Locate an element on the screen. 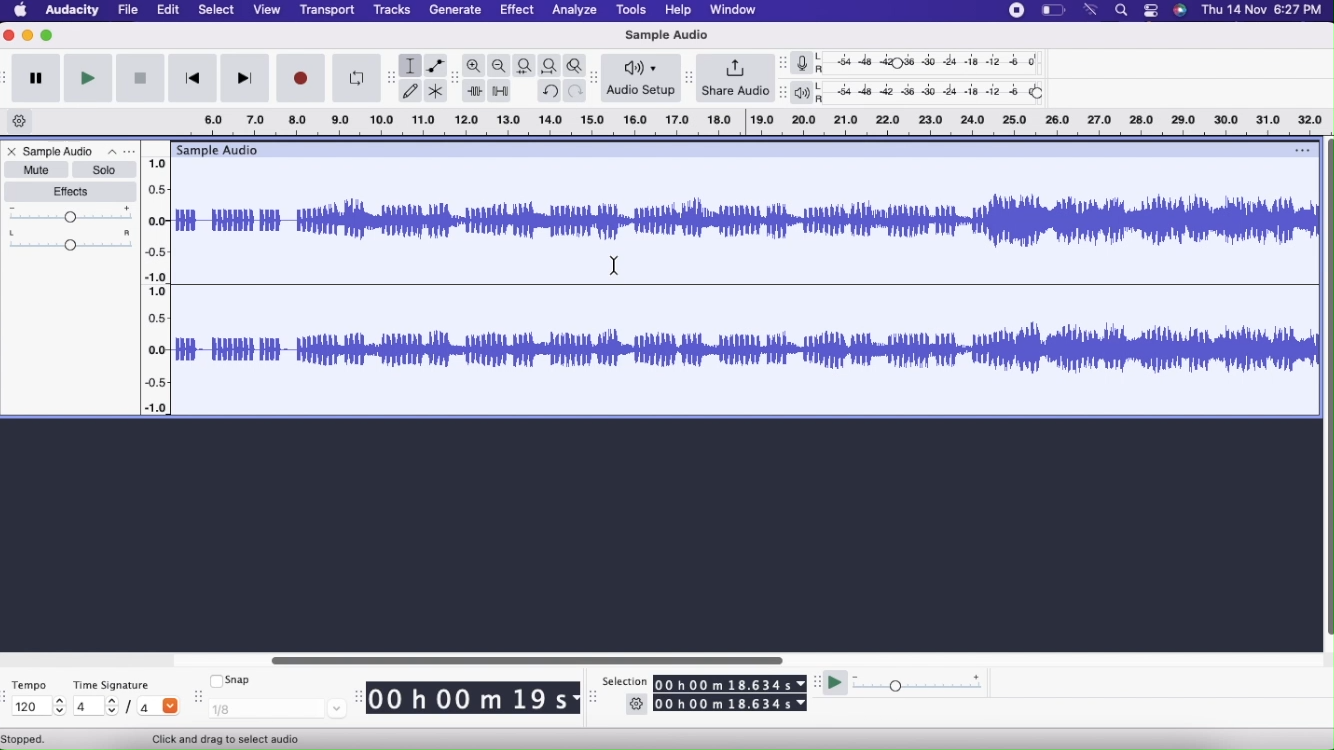 The width and height of the screenshot is (1334, 750). wifi is located at coordinates (1094, 11).